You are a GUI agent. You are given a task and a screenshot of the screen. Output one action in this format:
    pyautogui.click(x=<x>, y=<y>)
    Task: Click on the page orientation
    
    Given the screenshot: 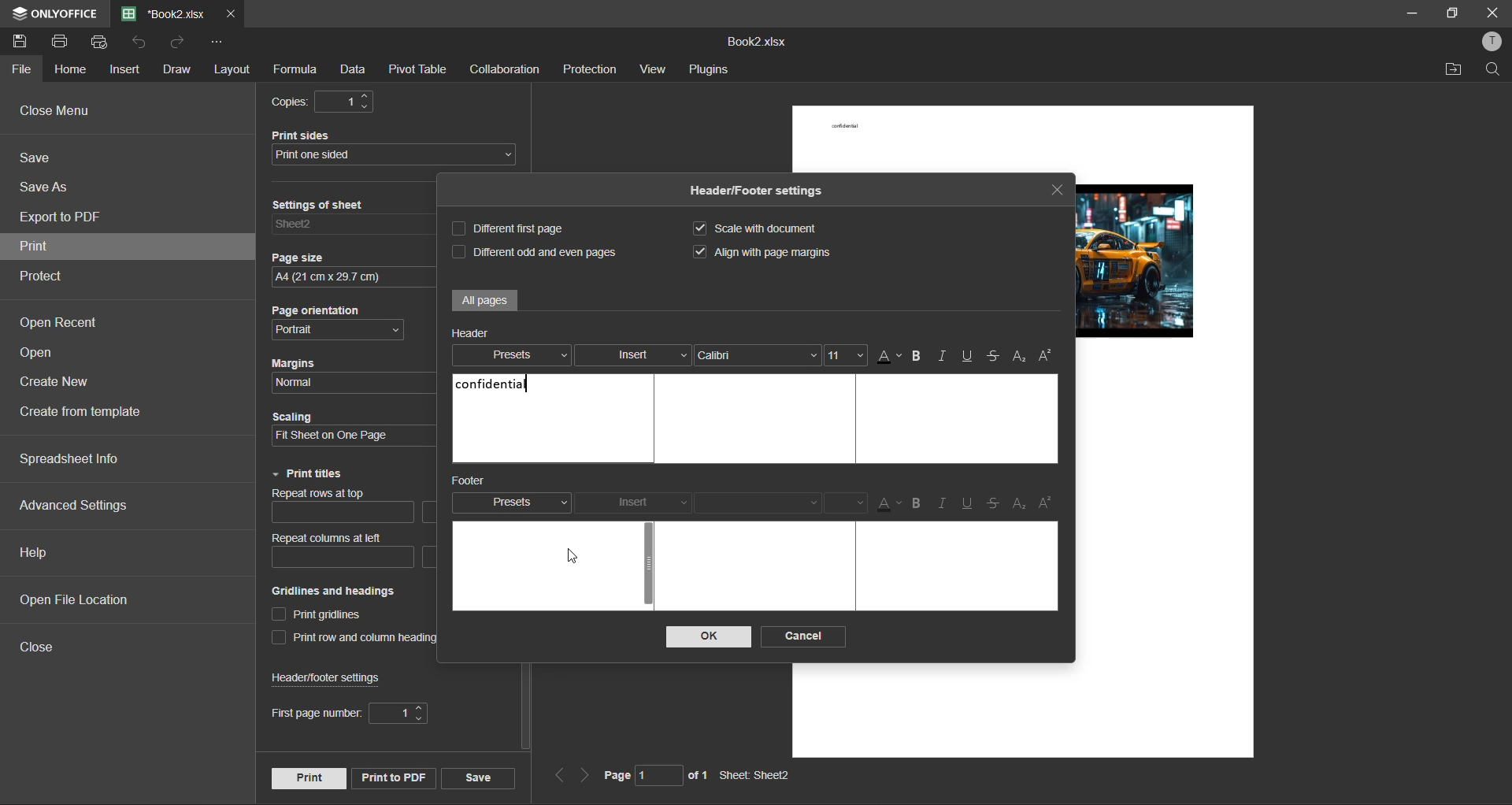 What is the action you would take?
    pyautogui.click(x=337, y=332)
    